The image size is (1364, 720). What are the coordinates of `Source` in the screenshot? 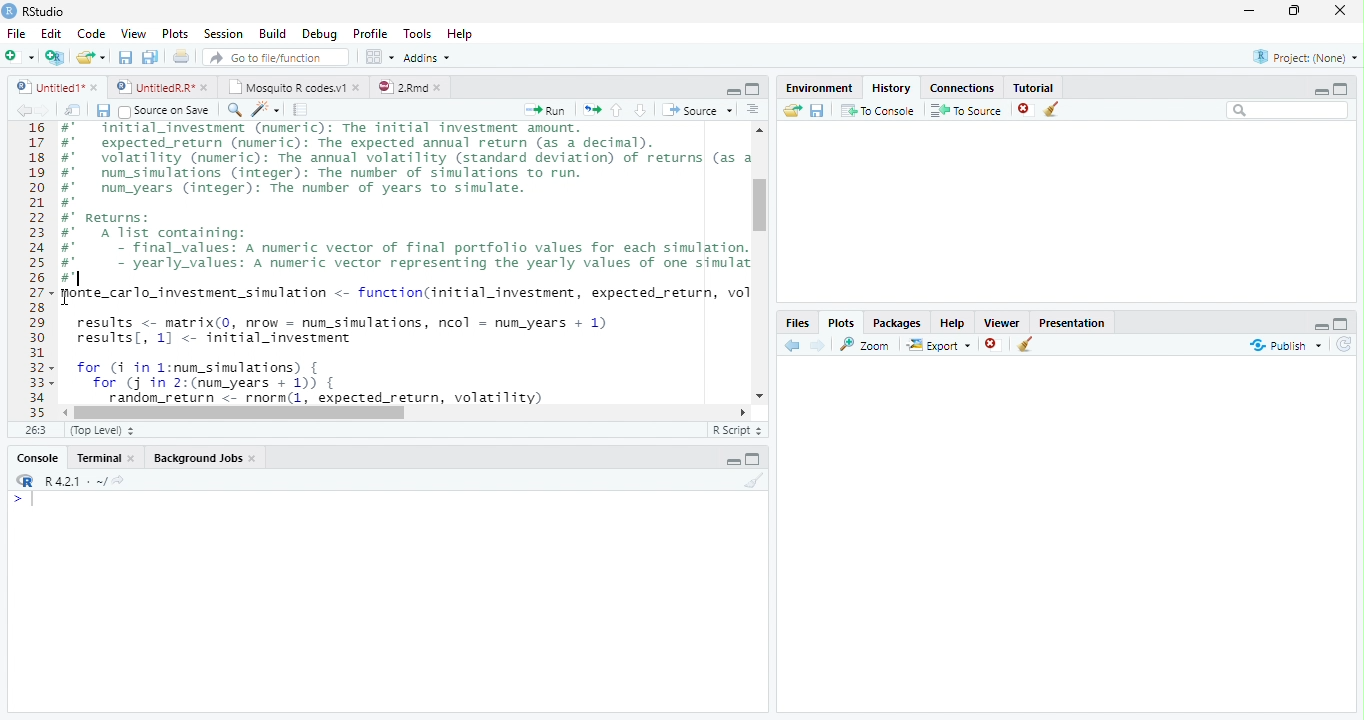 It's located at (696, 109).